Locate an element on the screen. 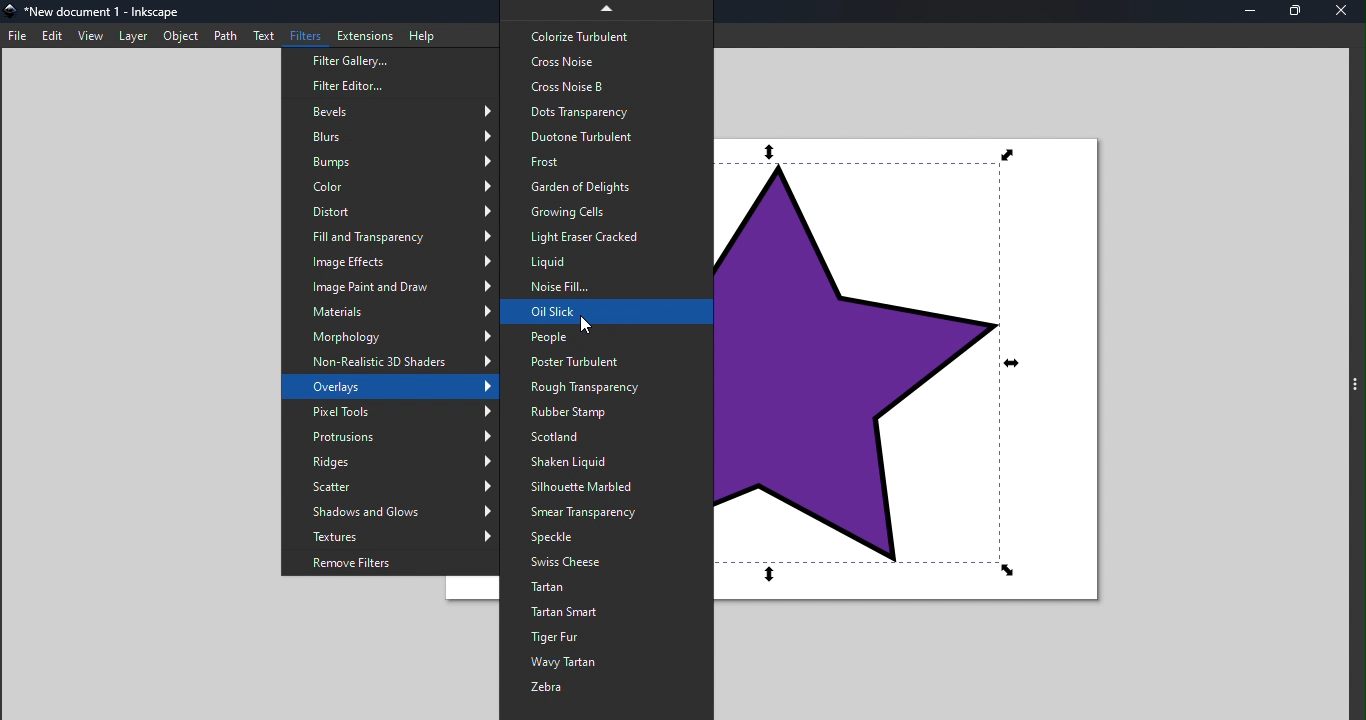 Image resolution: width=1366 pixels, height=720 pixels. Fill and Transparency is located at coordinates (387, 238).